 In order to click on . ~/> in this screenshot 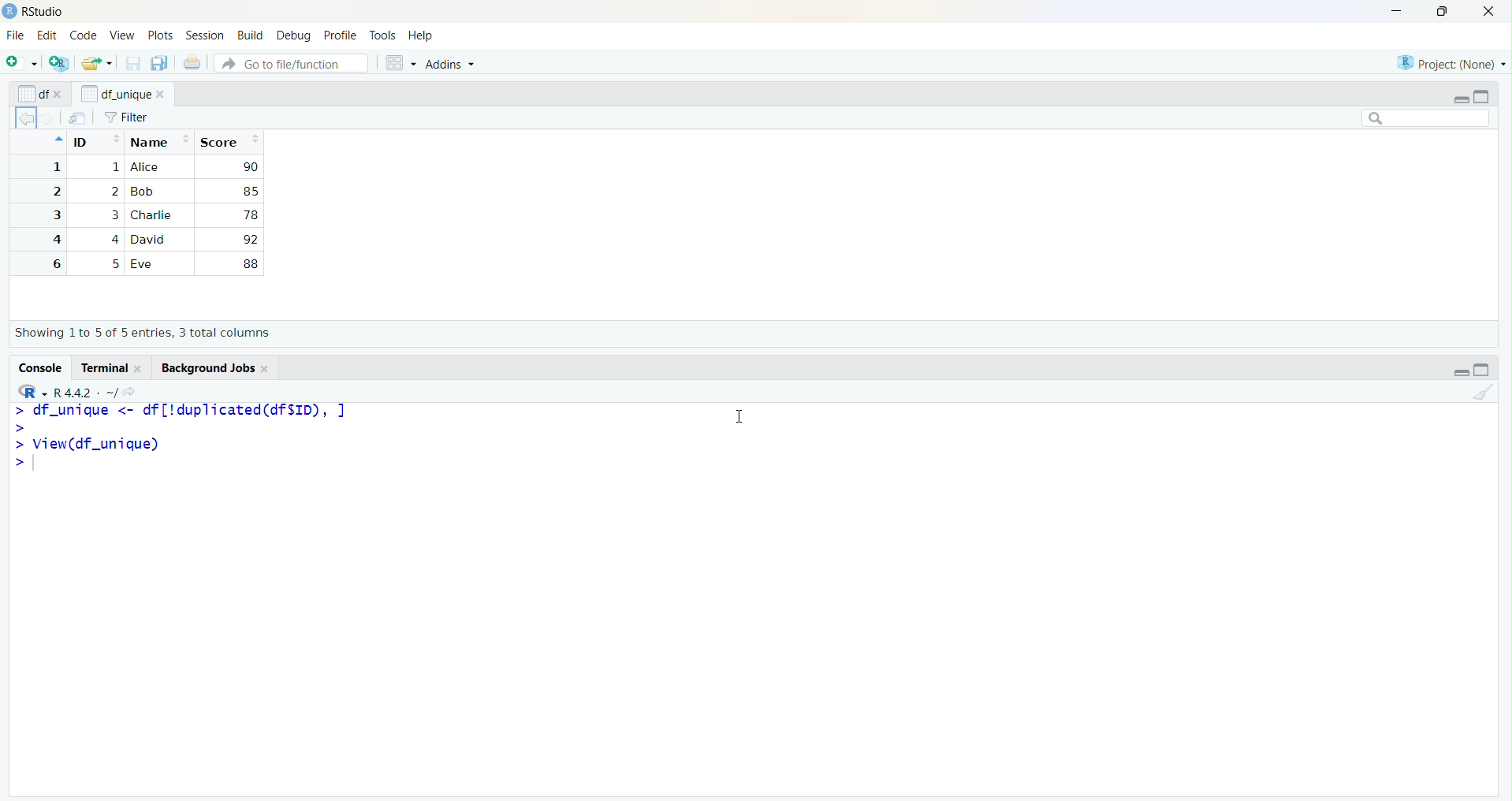, I will do `click(118, 393)`.